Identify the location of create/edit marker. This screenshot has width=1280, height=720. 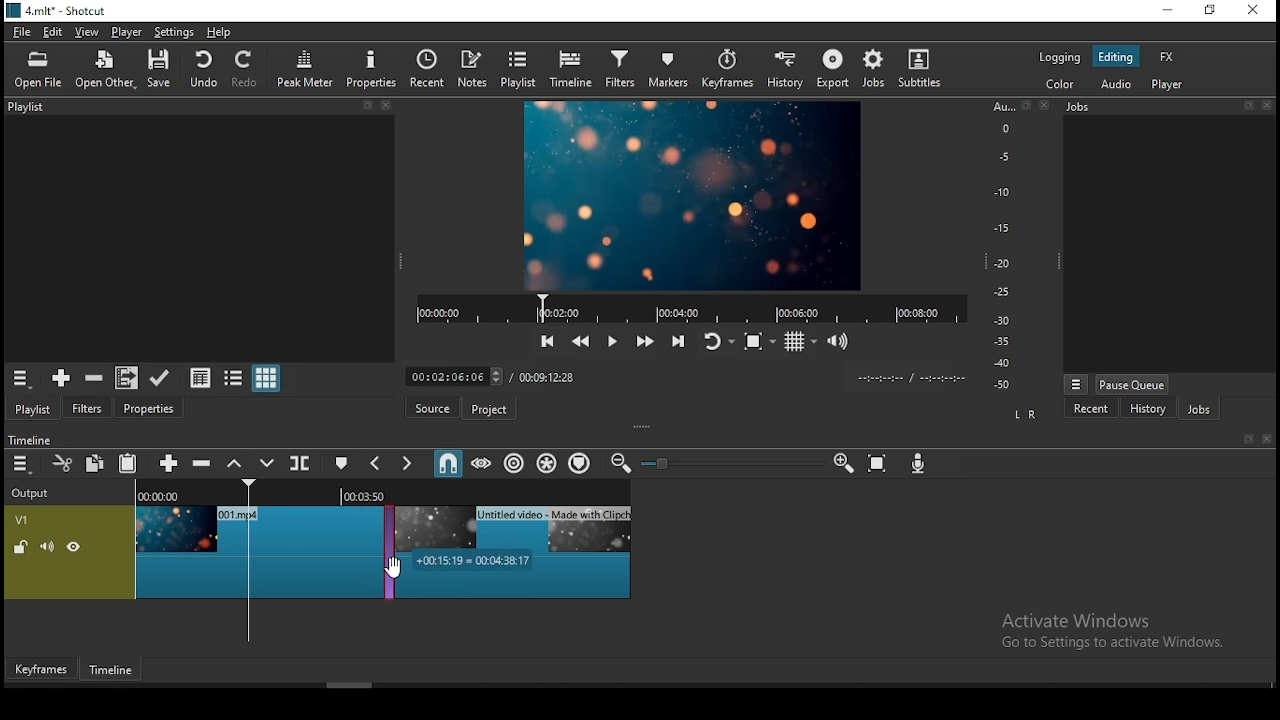
(342, 462).